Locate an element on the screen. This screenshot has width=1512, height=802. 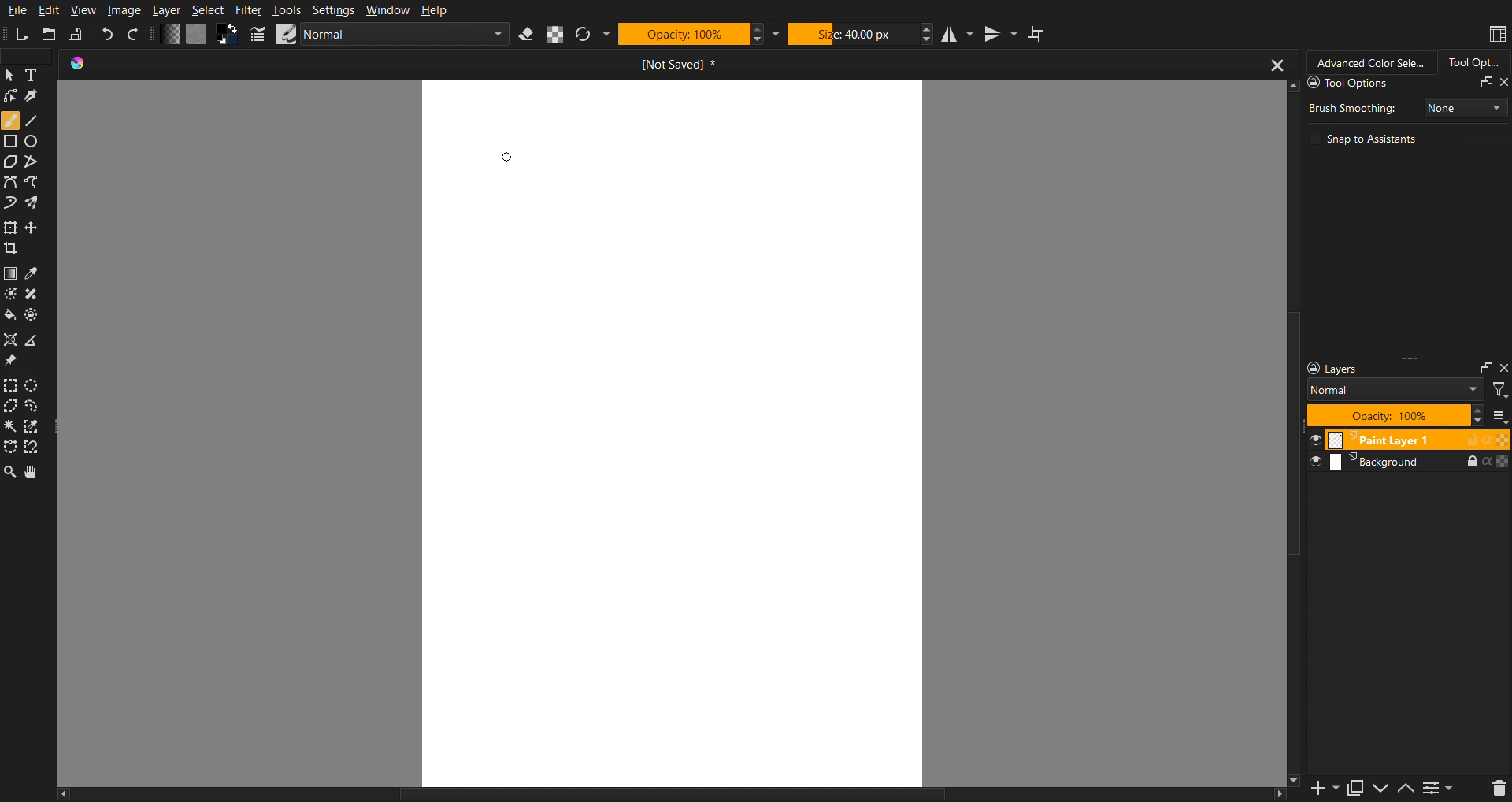
Bezier Curve is located at coordinates (39, 184).